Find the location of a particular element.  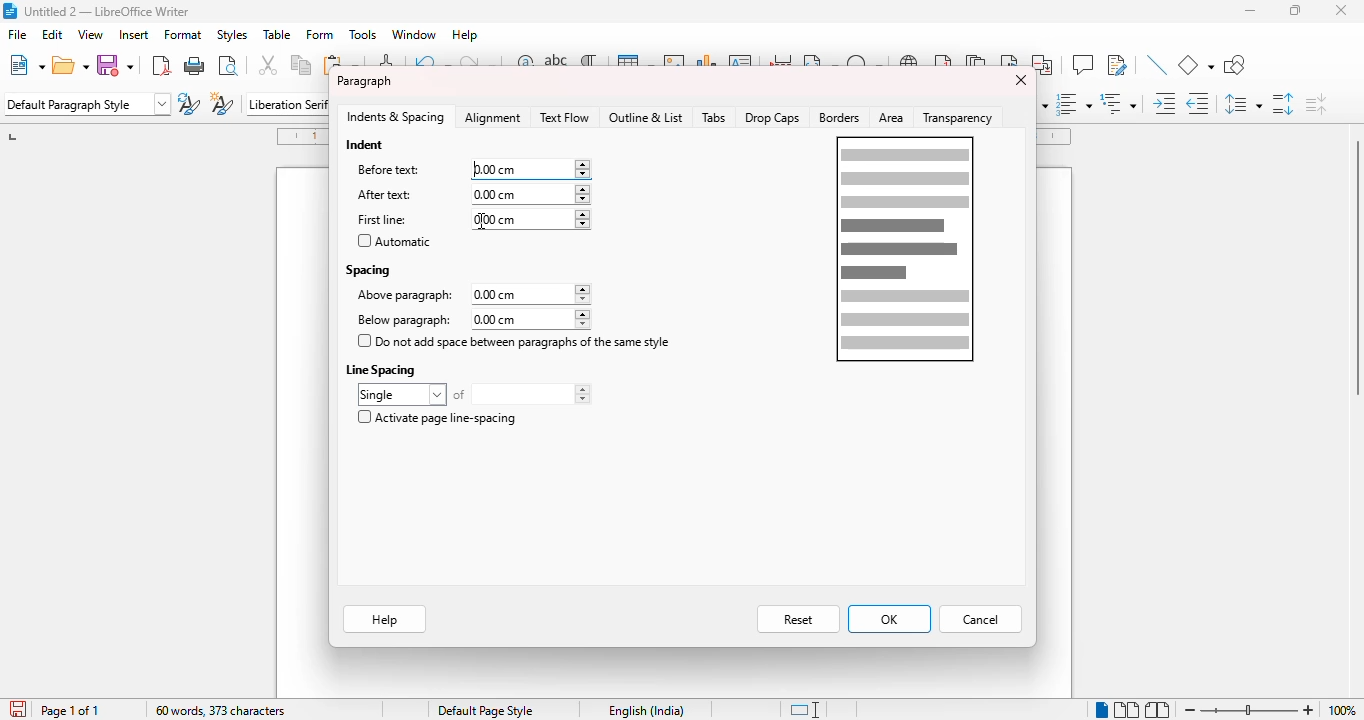

page style is located at coordinates (486, 710).